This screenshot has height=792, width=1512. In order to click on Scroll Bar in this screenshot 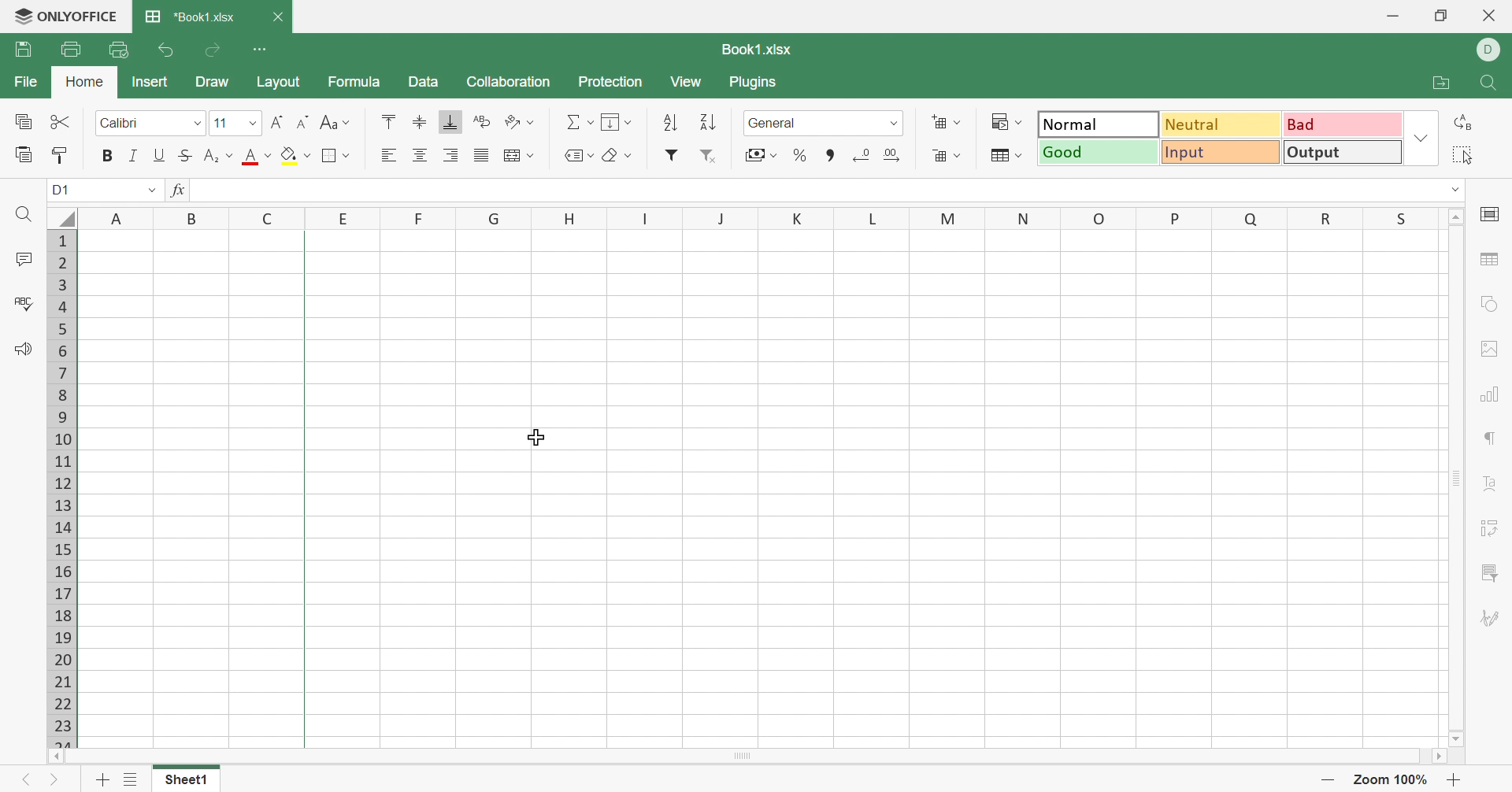, I will do `click(744, 757)`.